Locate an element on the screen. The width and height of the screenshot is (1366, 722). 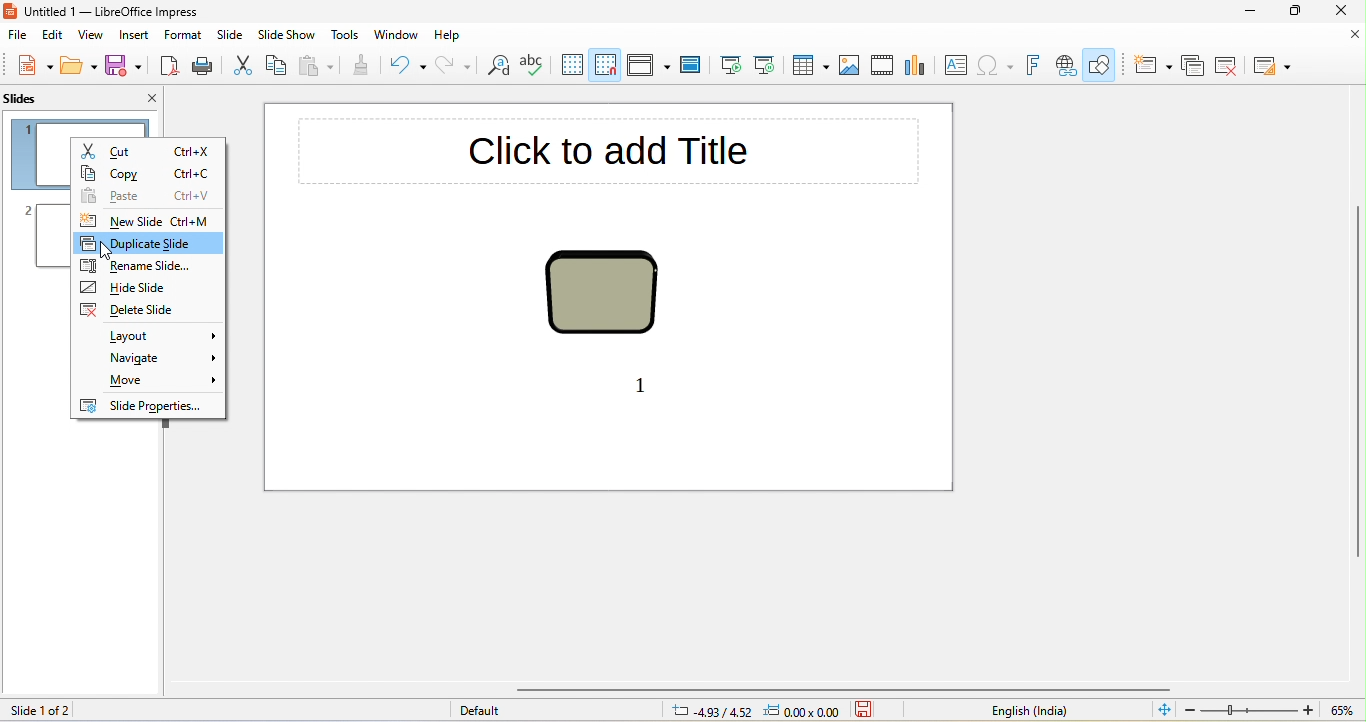
maximize is located at coordinates (1295, 11).